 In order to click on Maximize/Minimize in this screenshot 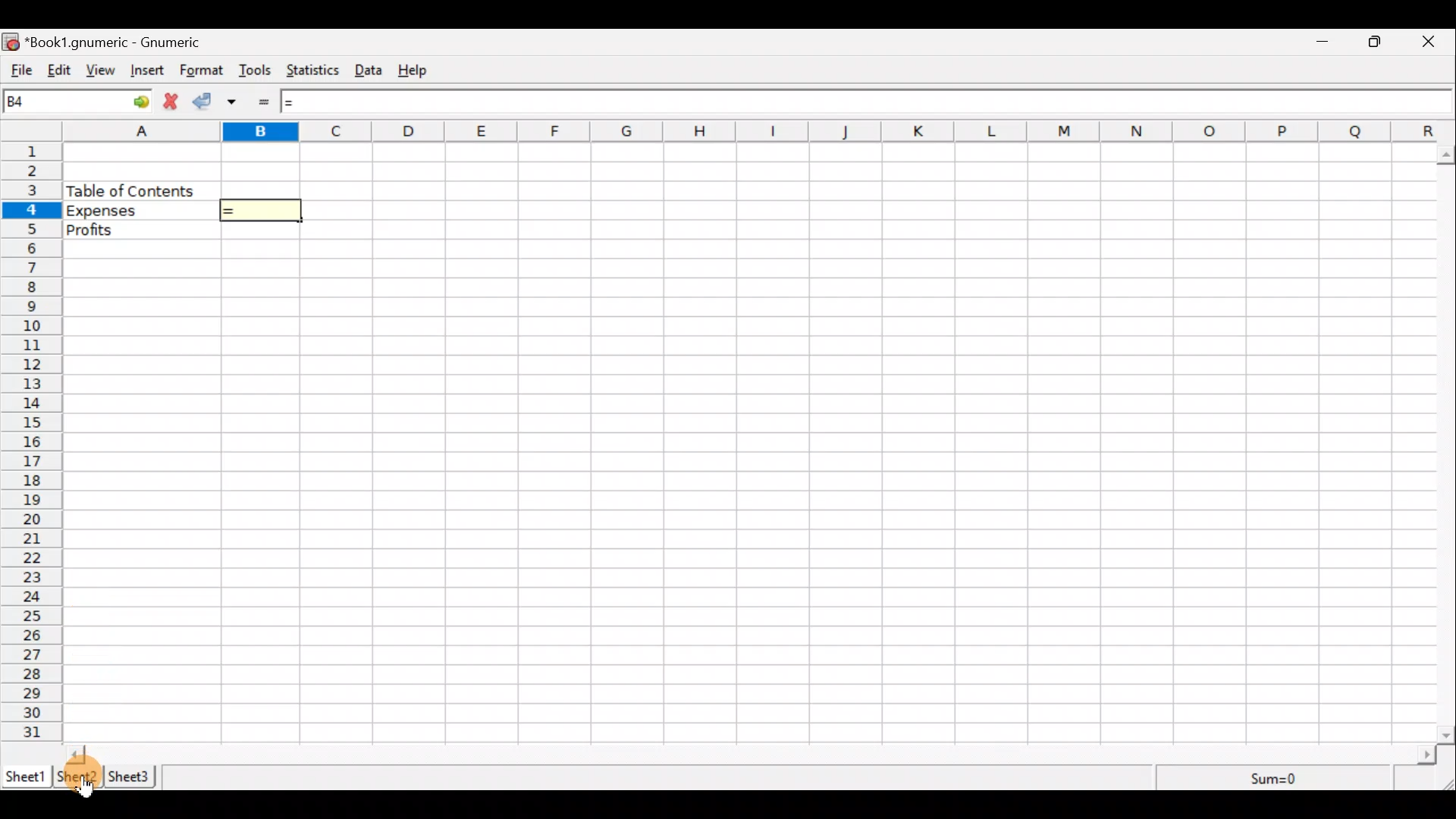, I will do `click(1379, 42)`.